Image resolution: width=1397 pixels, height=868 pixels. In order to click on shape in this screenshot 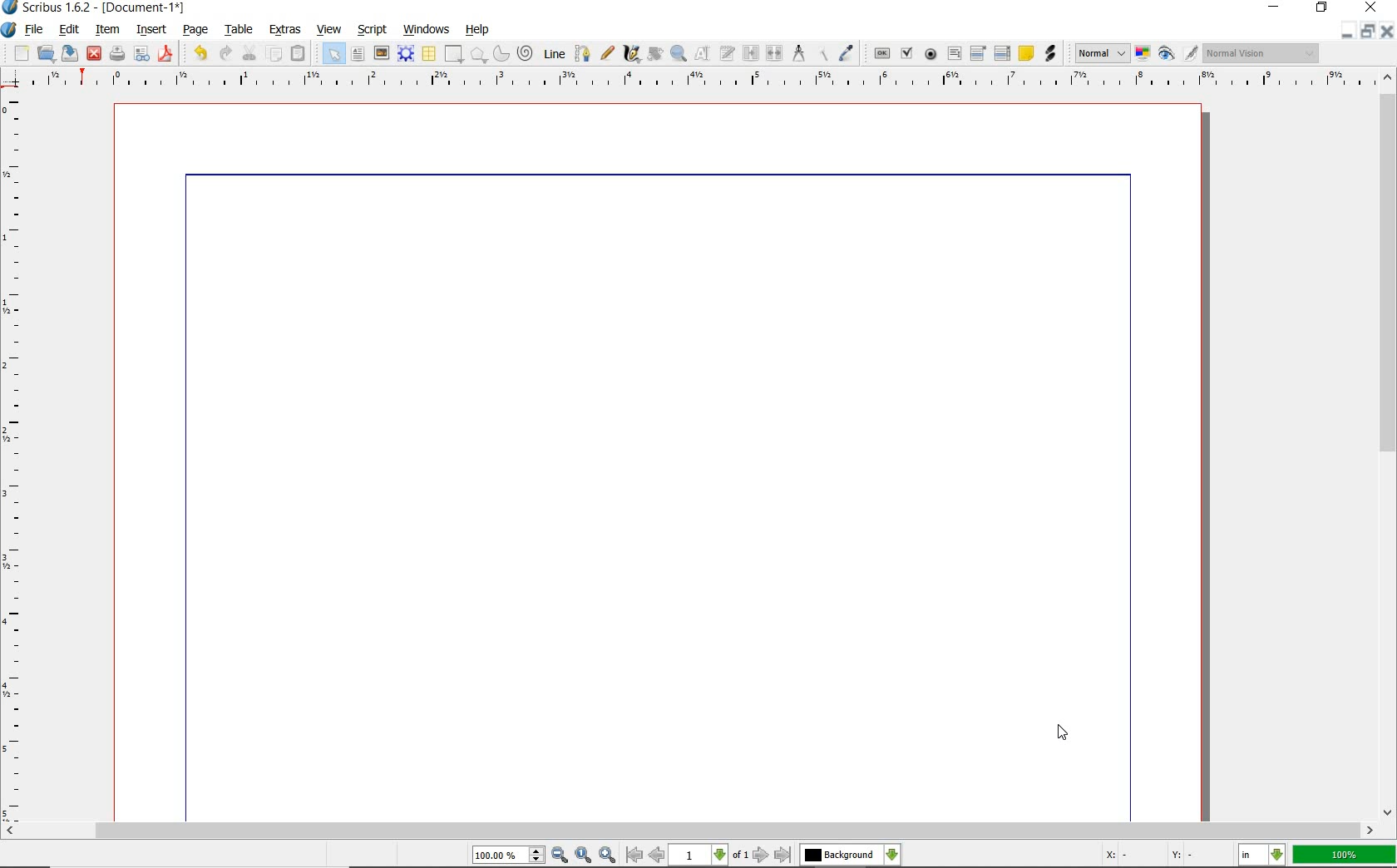, I will do `click(478, 54)`.